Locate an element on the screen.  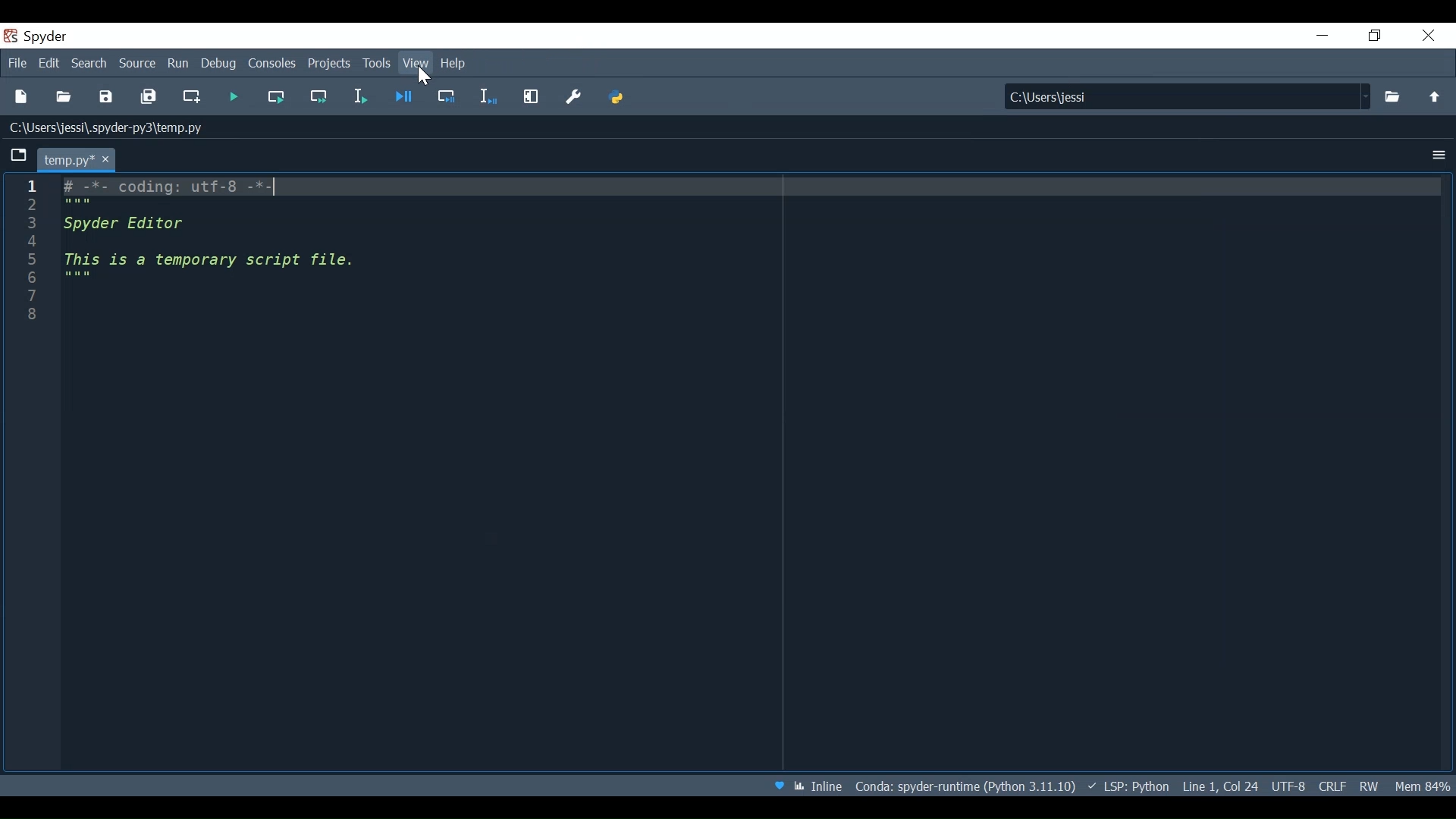
Maximize current pane is located at coordinates (531, 96).